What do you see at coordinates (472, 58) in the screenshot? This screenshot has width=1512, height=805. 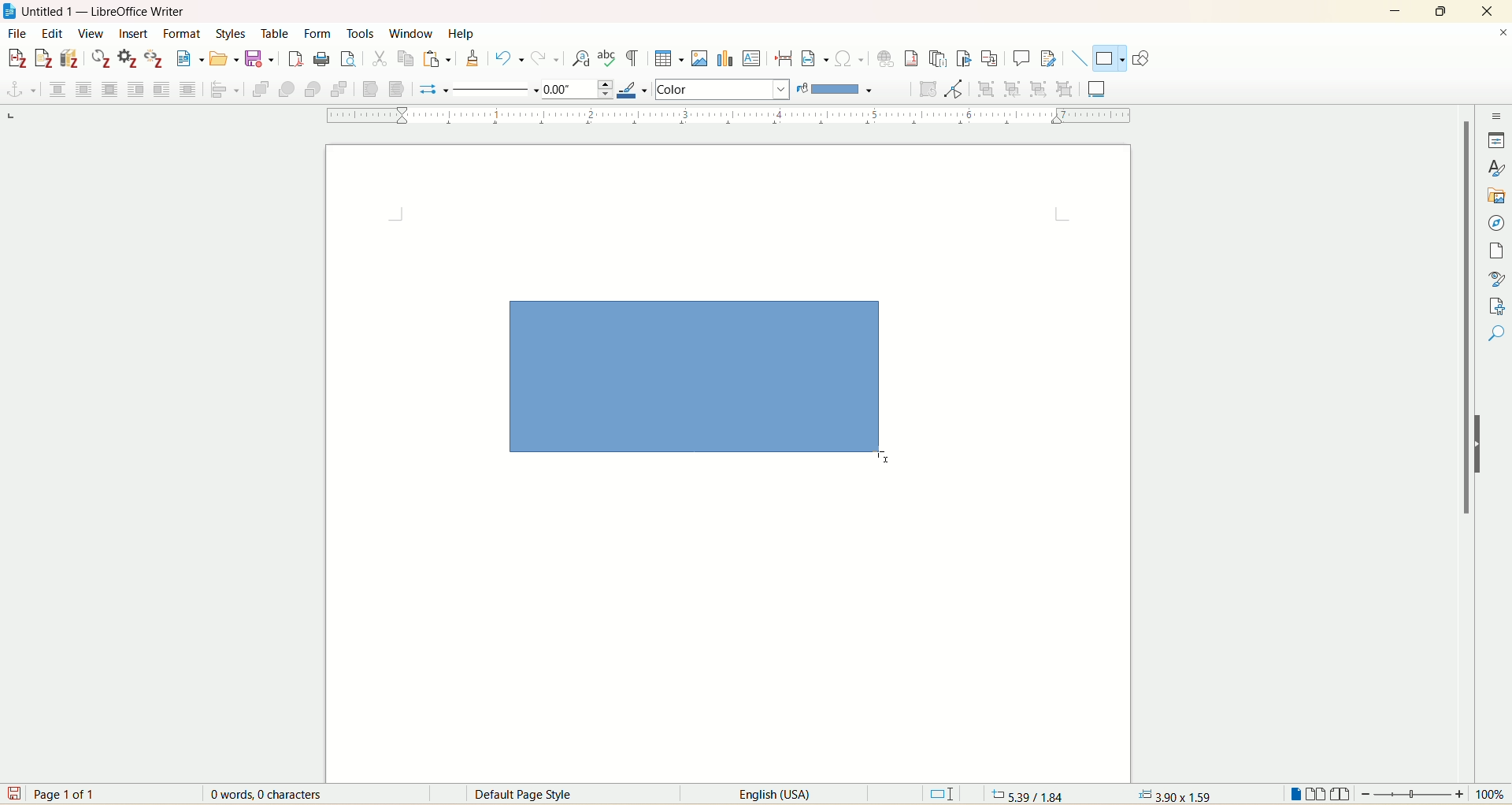 I see `clone formatting` at bounding box center [472, 58].